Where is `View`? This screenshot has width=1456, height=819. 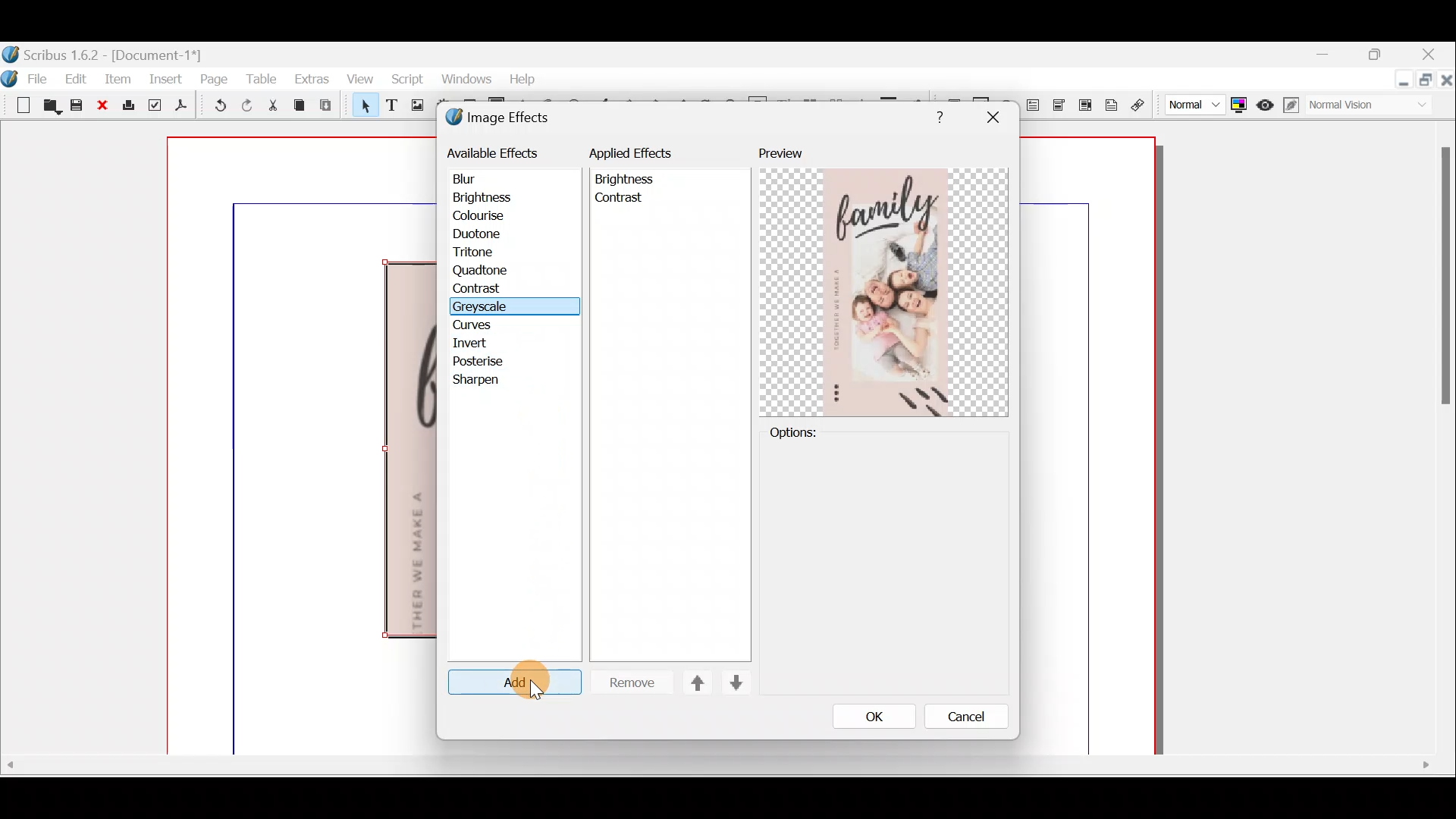 View is located at coordinates (363, 81).